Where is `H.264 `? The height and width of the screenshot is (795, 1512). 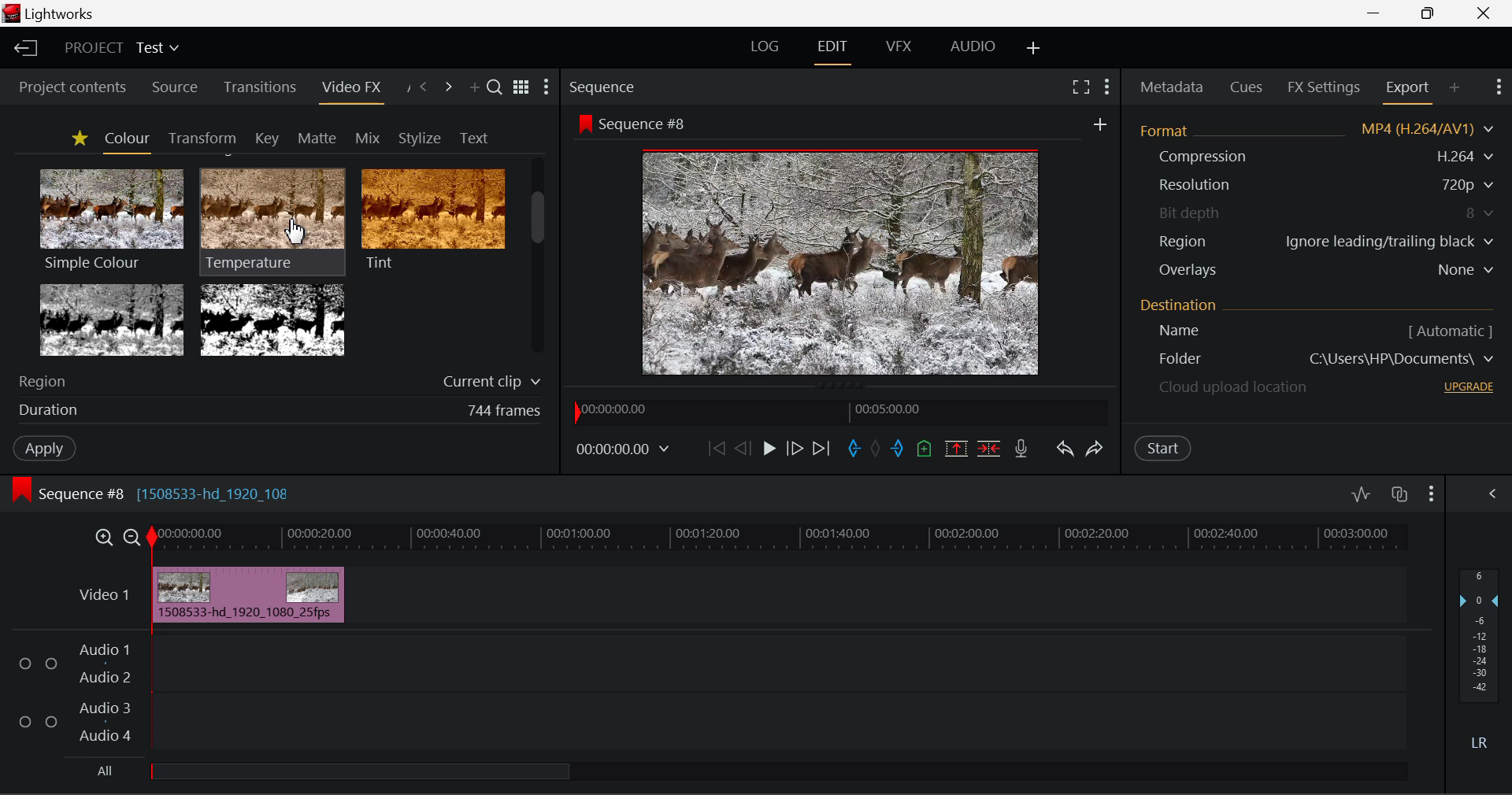 H.264  is located at coordinates (1468, 156).